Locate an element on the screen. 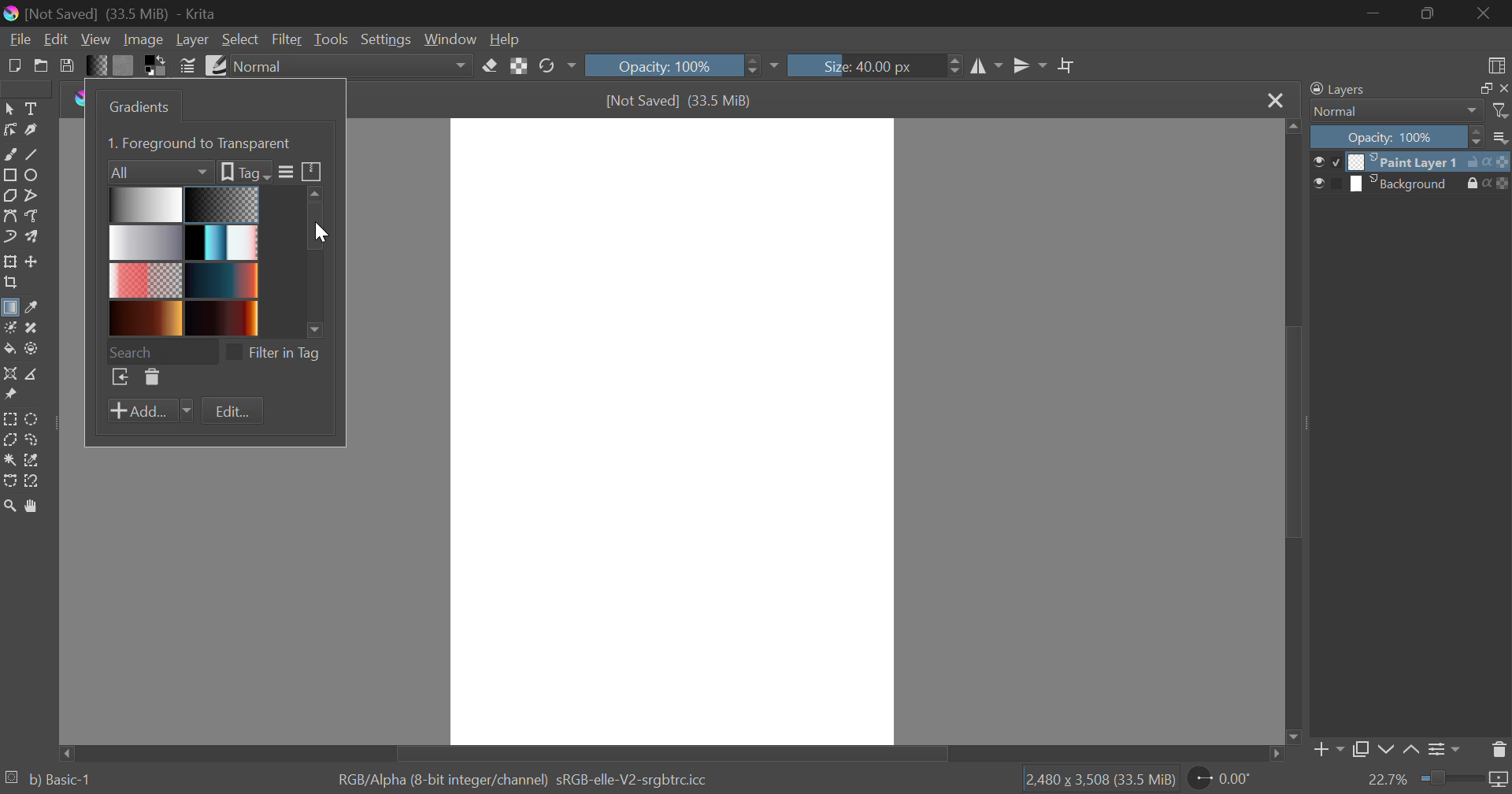  preview is located at coordinates (1326, 185).